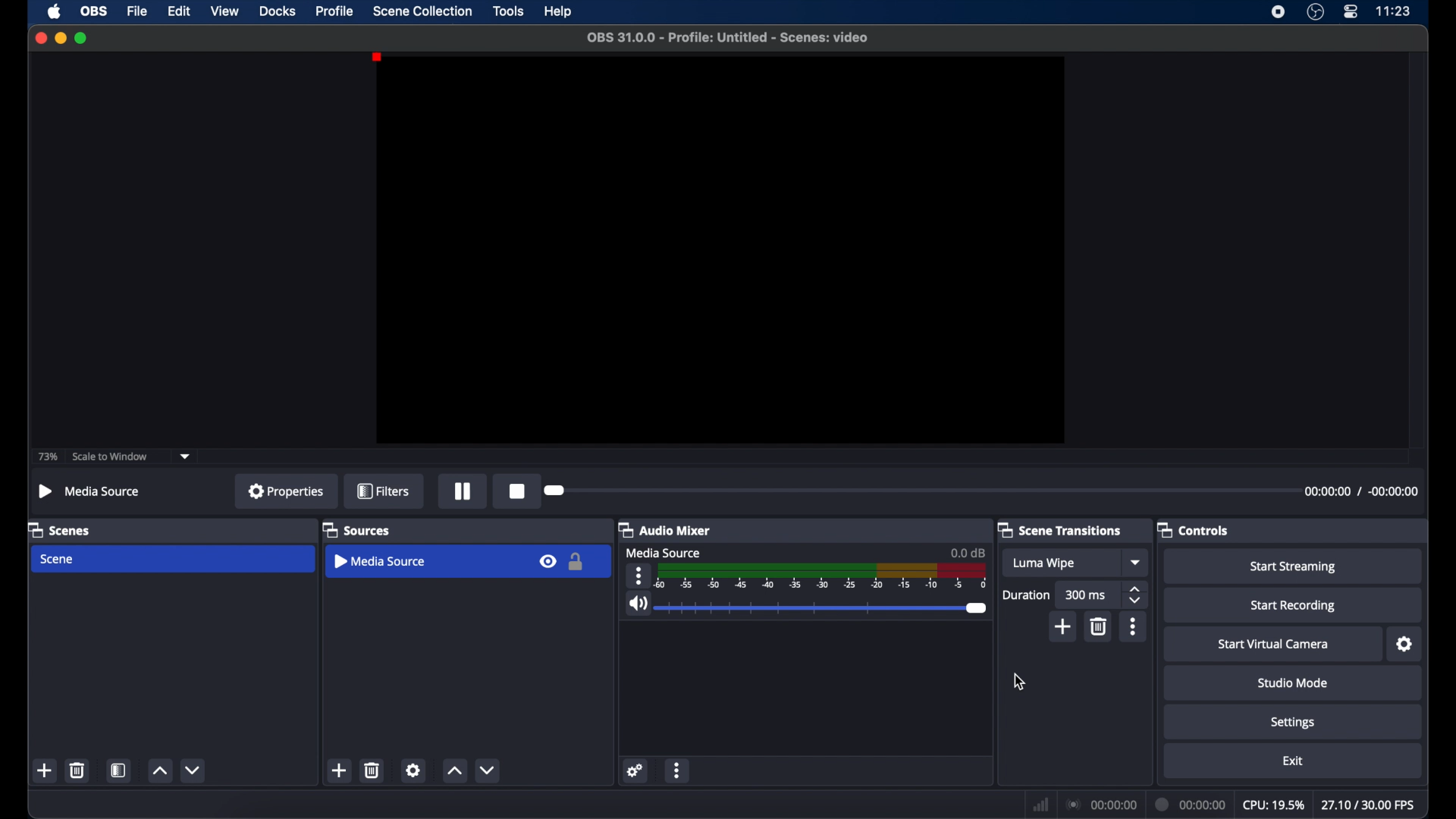  What do you see at coordinates (1294, 606) in the screenshot?
I see `start recording` at bounding box center [1294, 606].